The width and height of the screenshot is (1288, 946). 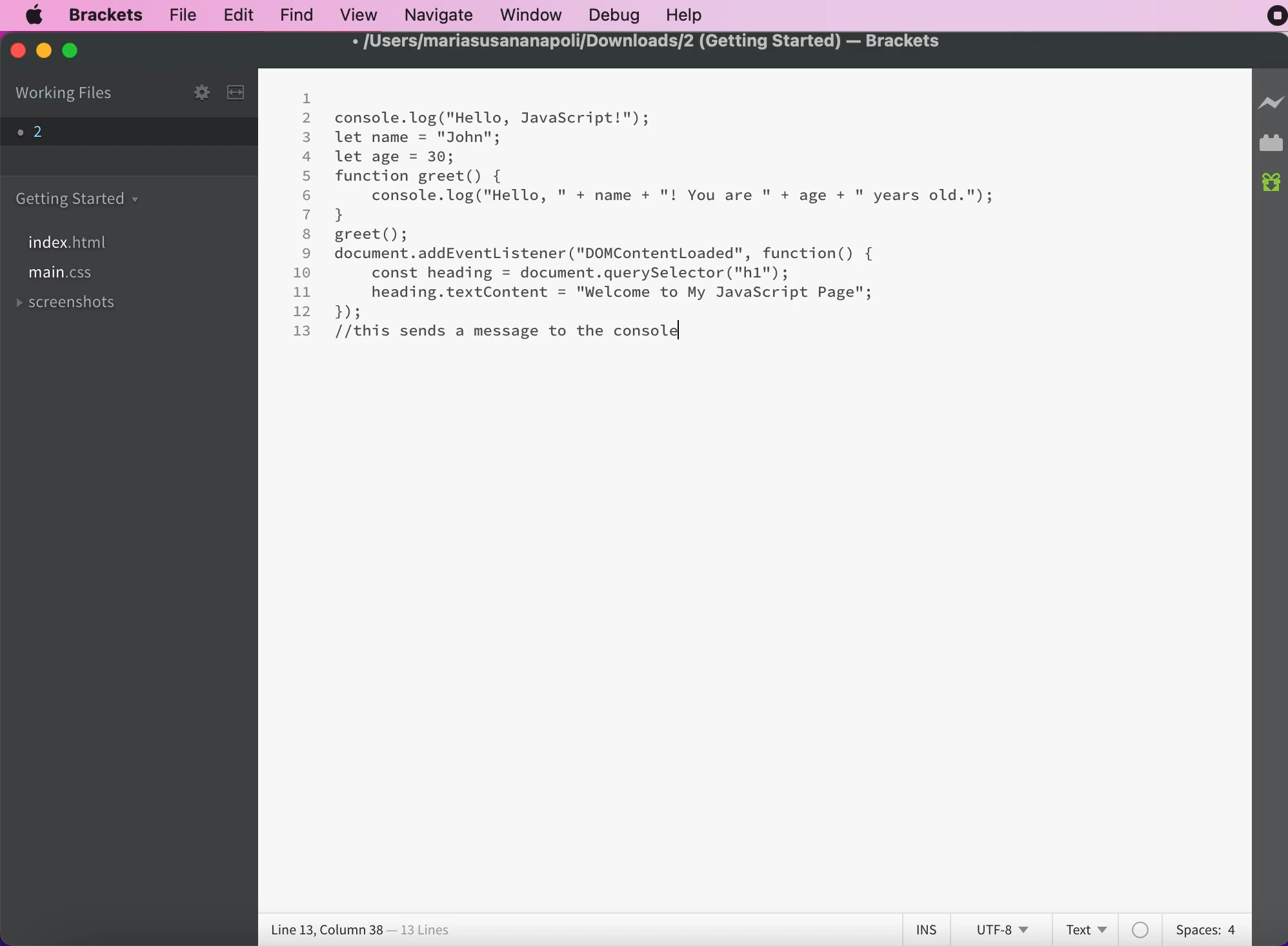 I want to click on color, so click(x=1143, y=929).